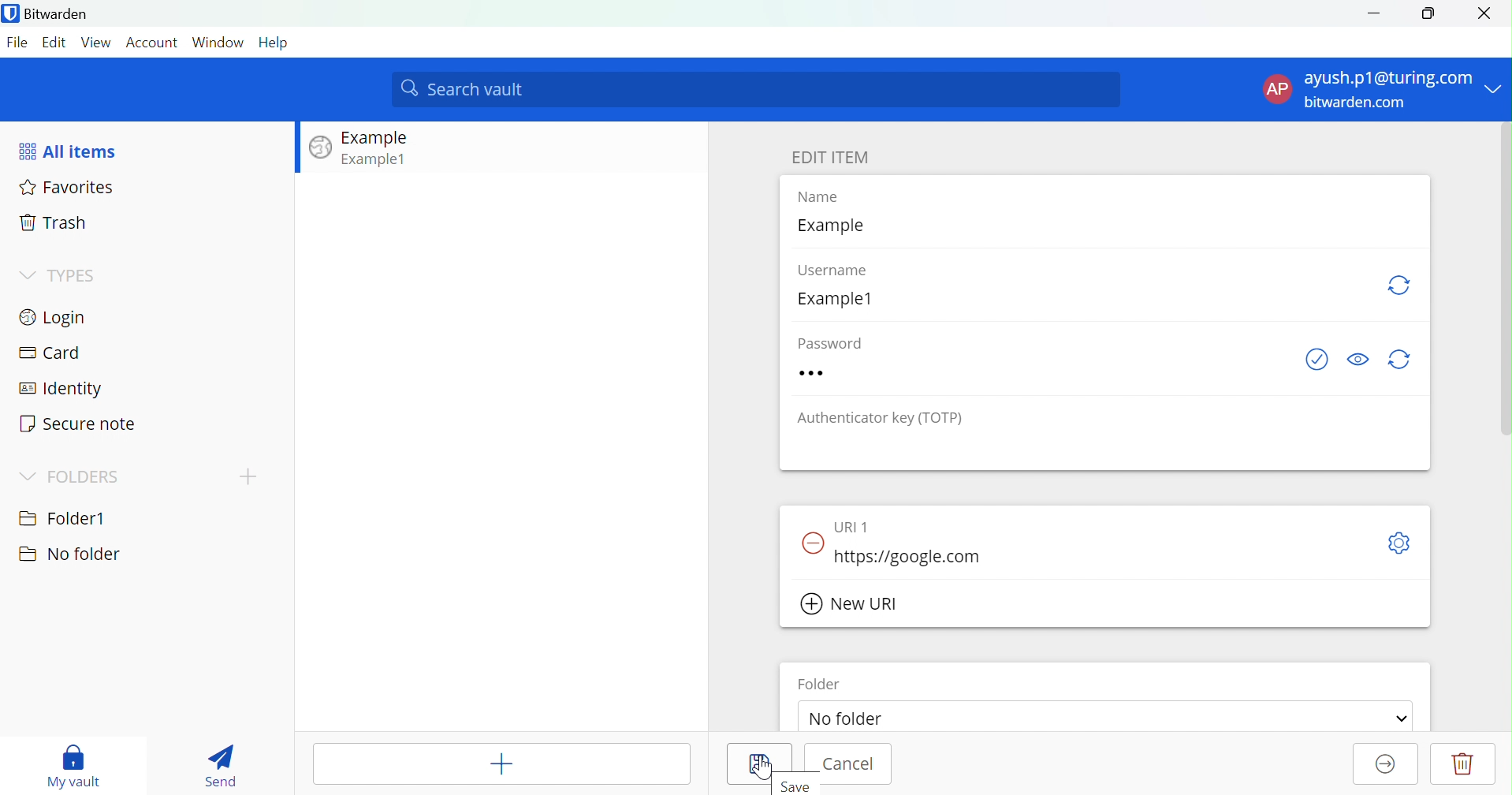 Image resolution: width=1512 pixels, height=795 pixels. What do you see at coordinates (70, 151) in the screenshot?
I see `All items` at bounding box center [70, 151].